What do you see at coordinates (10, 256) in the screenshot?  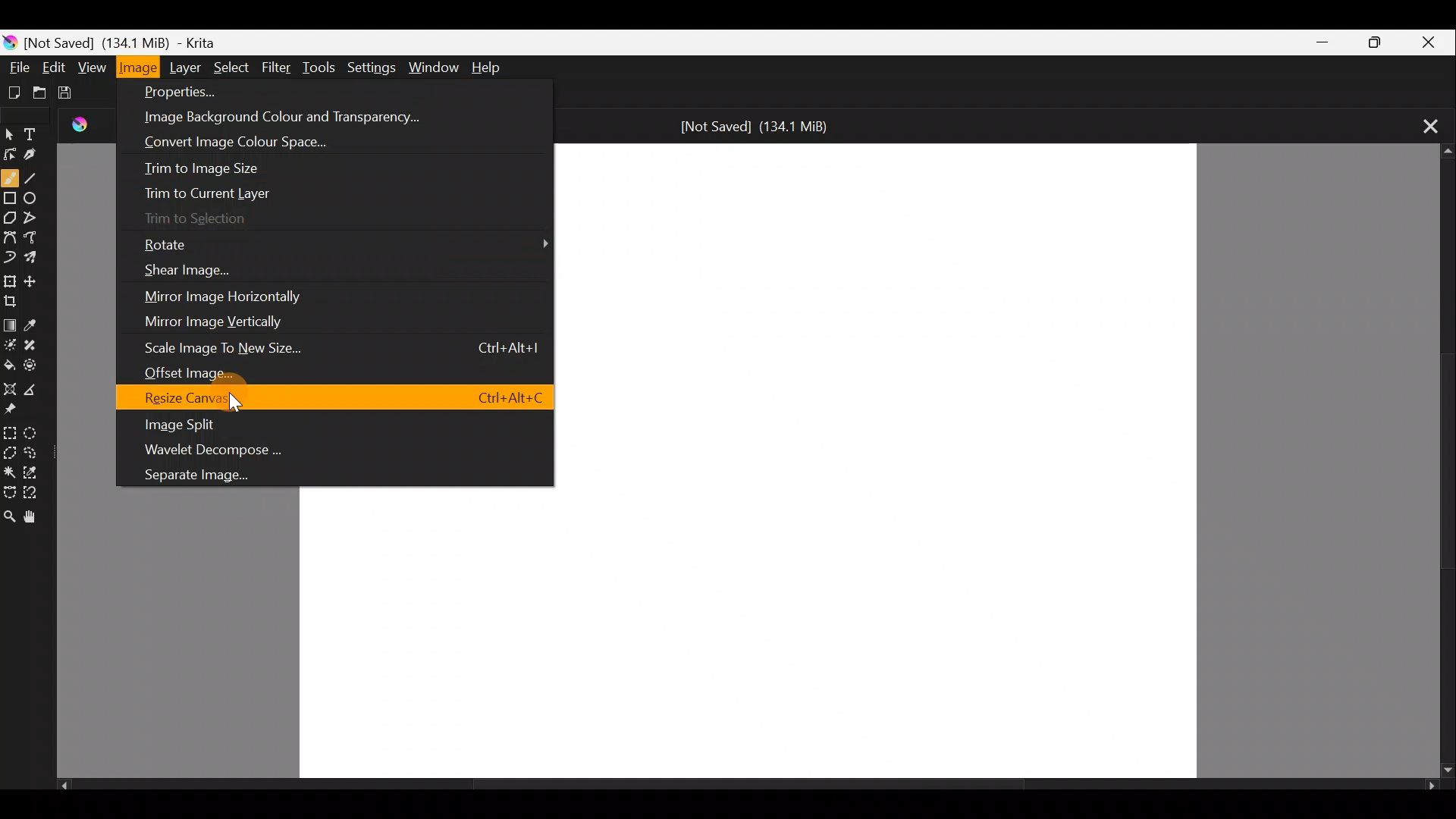 I see `Dynamic brush tool` at bounding box center [10, 256].